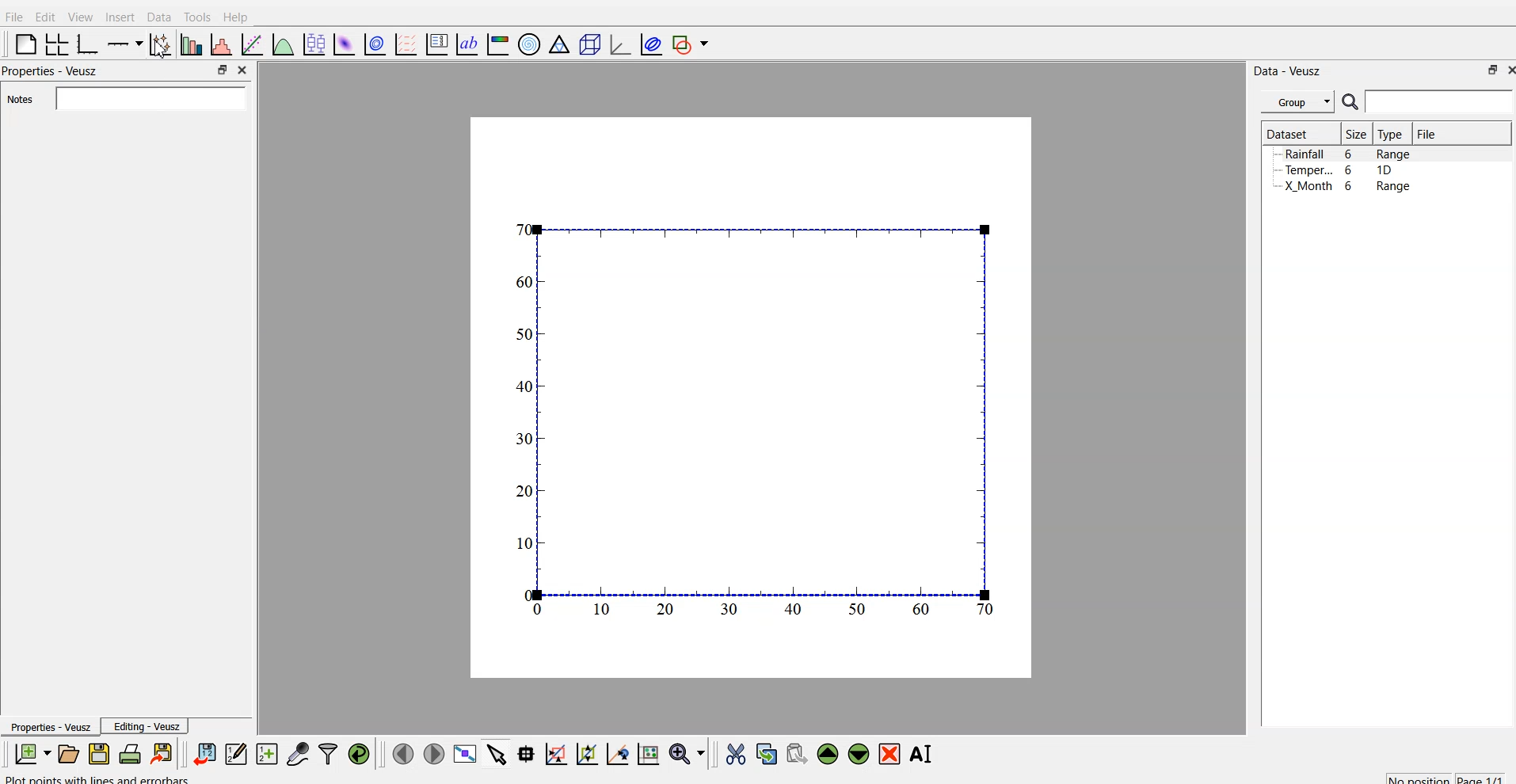 This screenshot has height=784, width=1516. What do you see at coordinates (328, 752) in the screenshot?
I see `filter data` at bounding box center [328, 752].